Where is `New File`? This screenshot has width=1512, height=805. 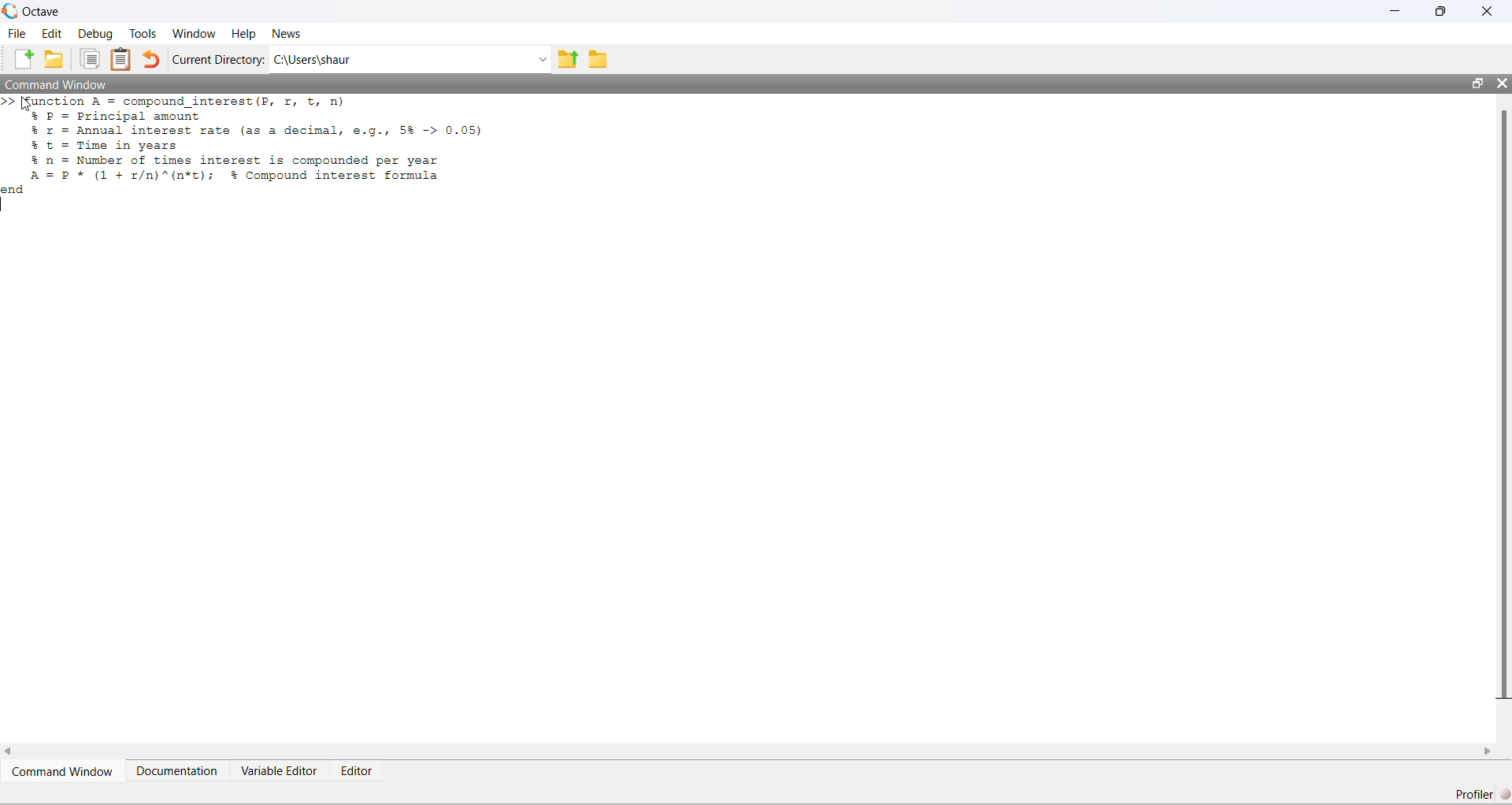 New File is located at coordinates (22, 59).